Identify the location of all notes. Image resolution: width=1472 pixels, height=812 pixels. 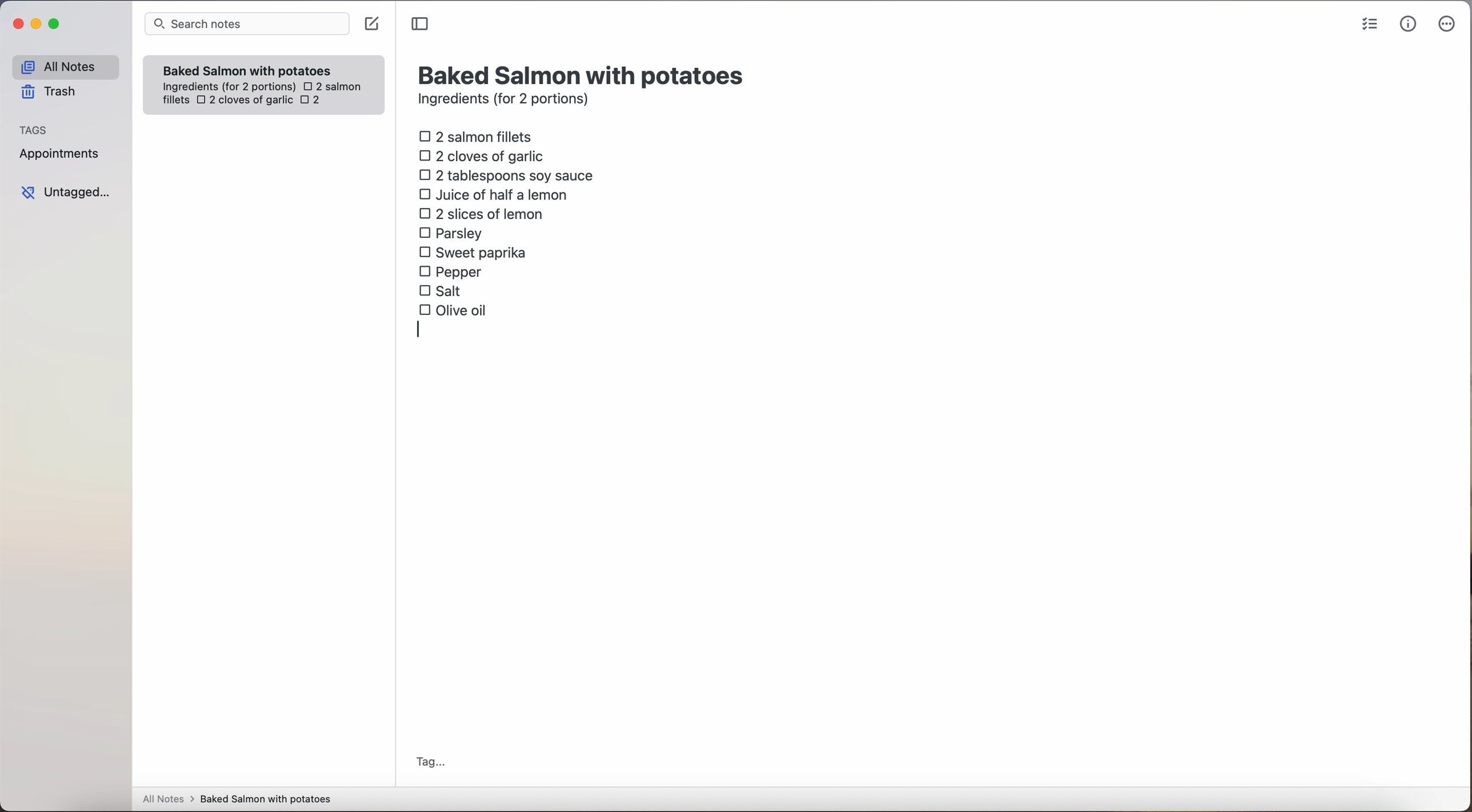
(65, 66).